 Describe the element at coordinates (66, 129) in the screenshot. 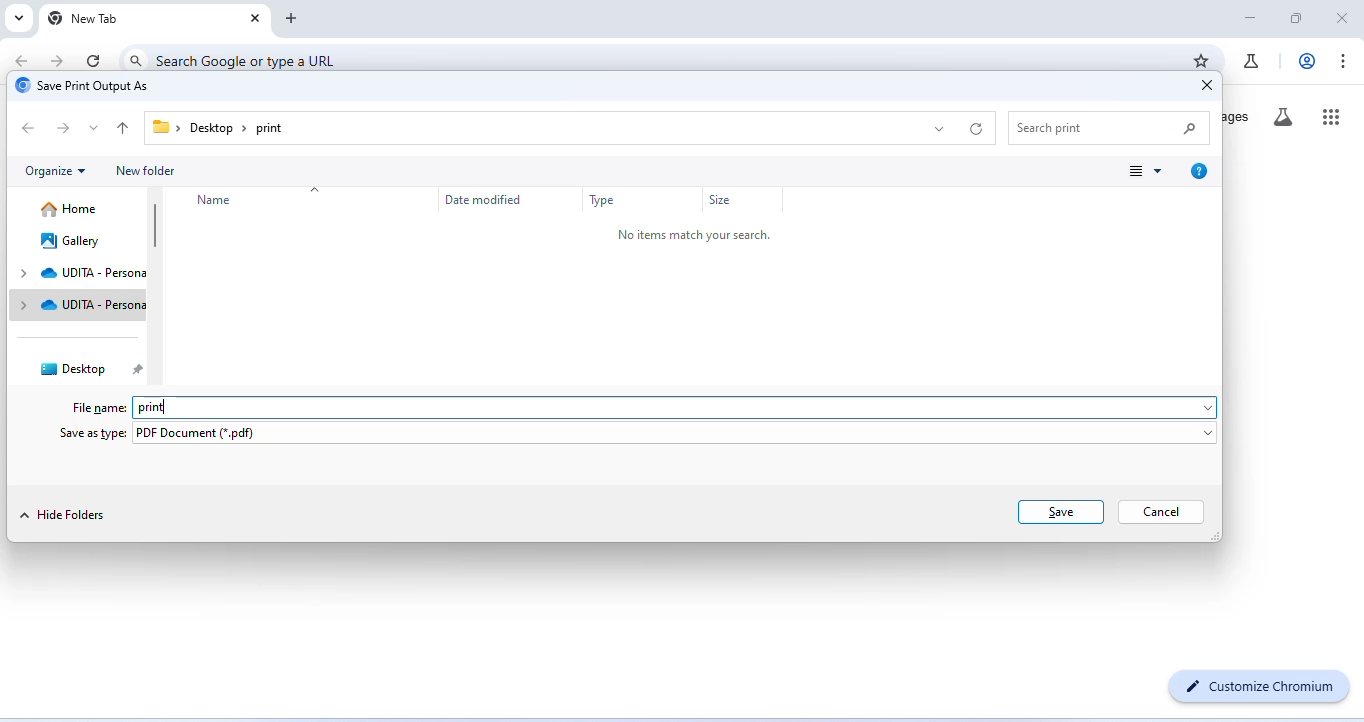

I see `next` at that location.